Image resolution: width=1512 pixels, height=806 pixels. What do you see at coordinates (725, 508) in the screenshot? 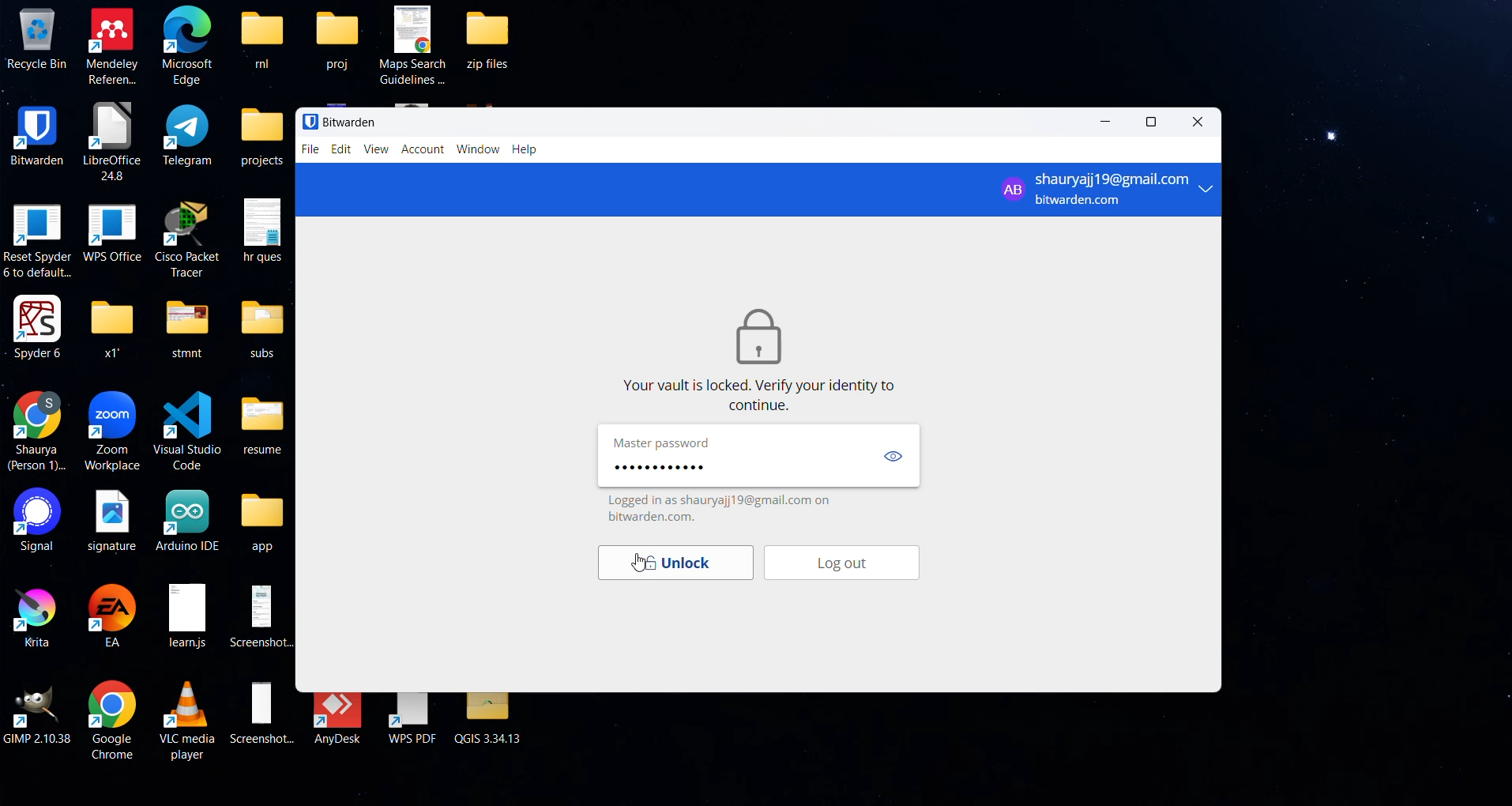
I see `Logged in as shauryajj19@gmail.com on bitwarden.com.` at bounding box center [725, 508].